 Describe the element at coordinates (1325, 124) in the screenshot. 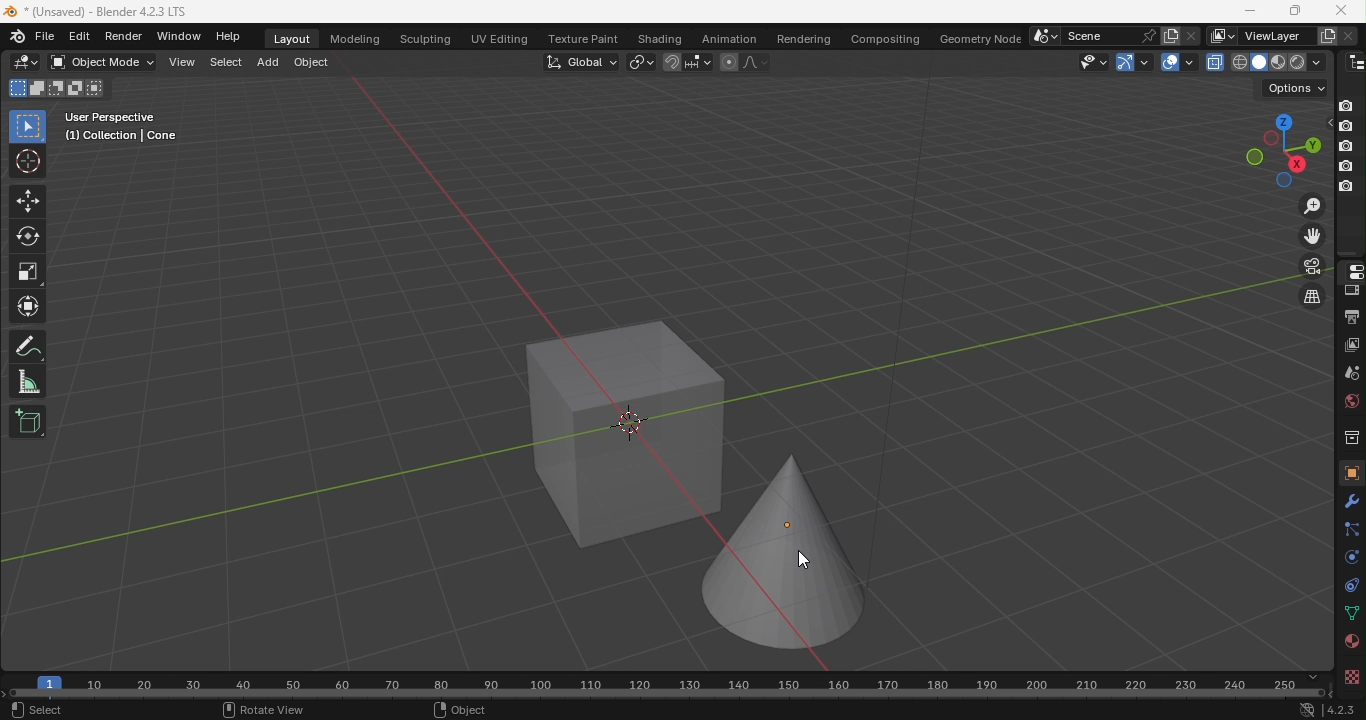

I see `Hide in viewpoint` at that location.